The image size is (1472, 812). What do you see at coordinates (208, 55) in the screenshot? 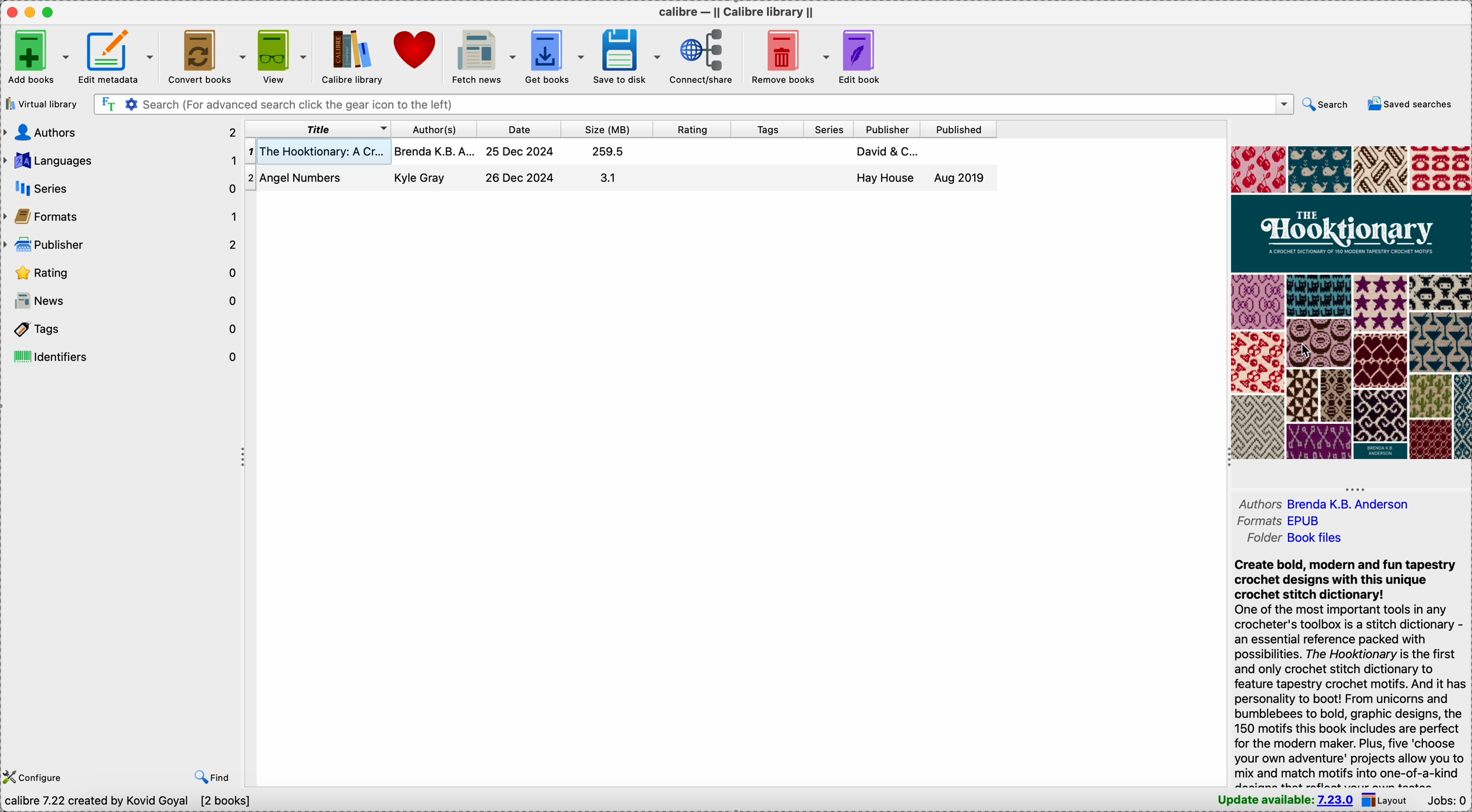
I see `convert books` at bounding box center [208, 55].